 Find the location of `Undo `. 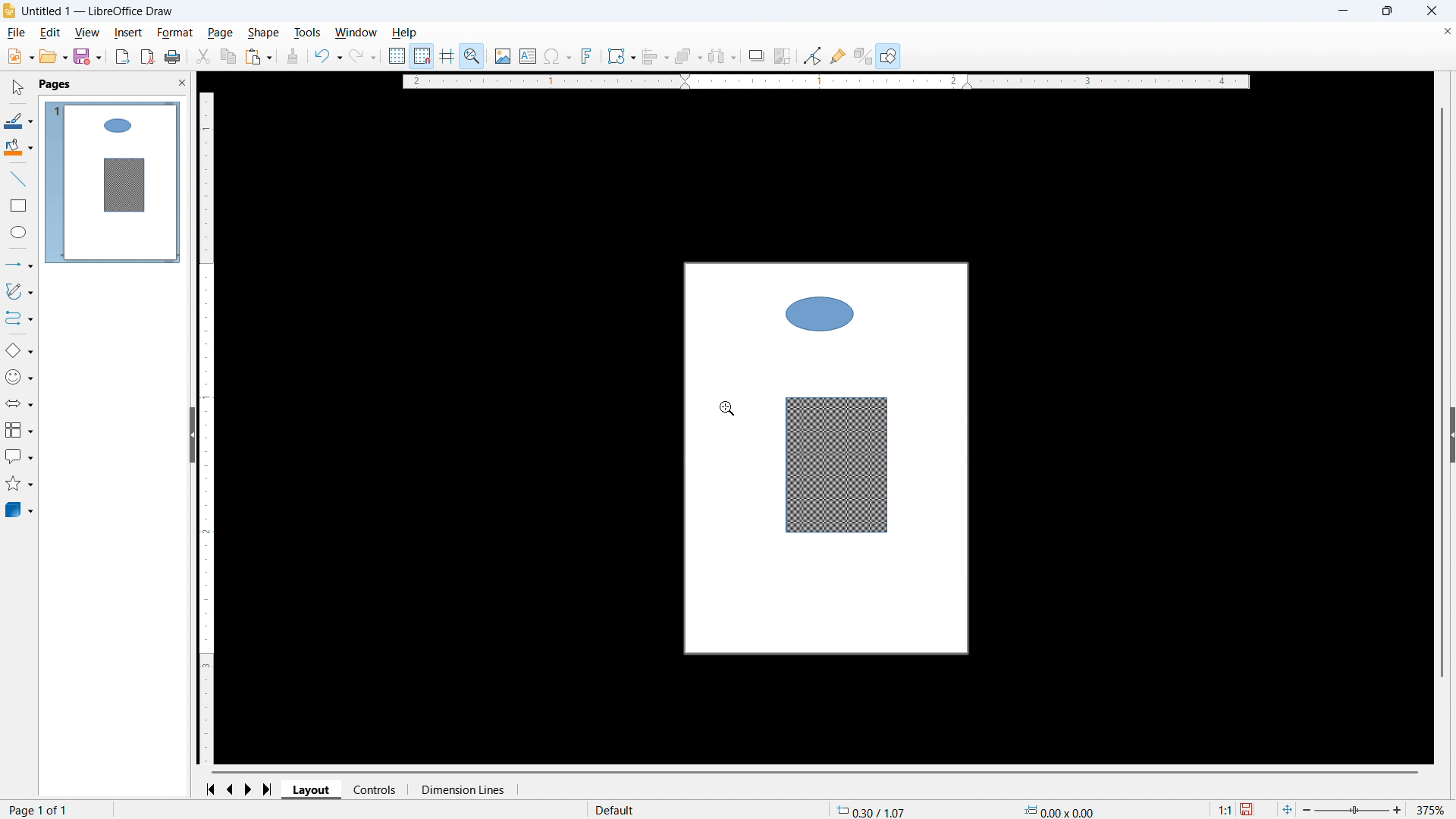

Undo  is located at coordinates (328, 56).